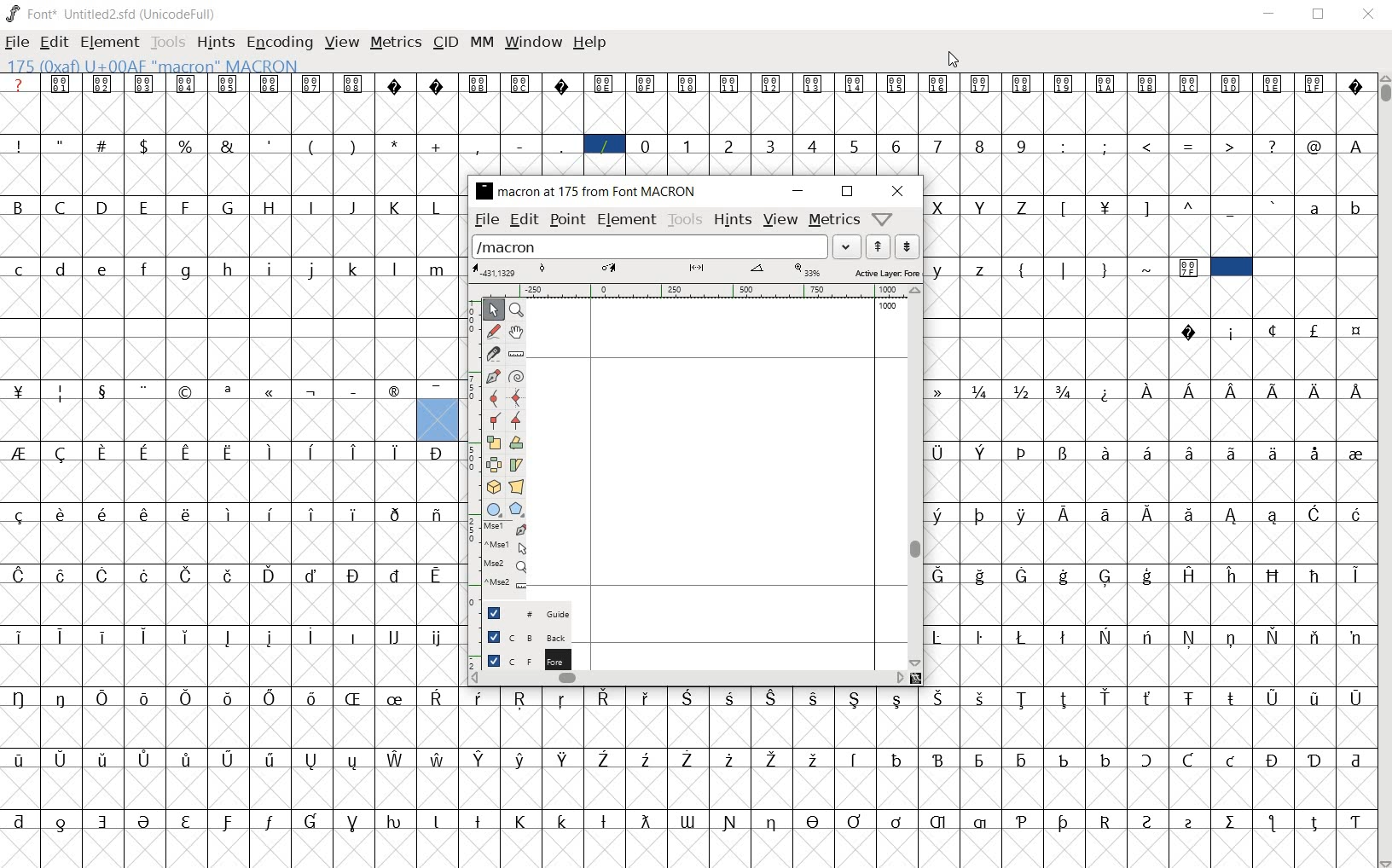 This screenshot has width=1392, height=868. Describe the element at coordinates (17, 760) in the screenshot. I see `Symbol` at that location.